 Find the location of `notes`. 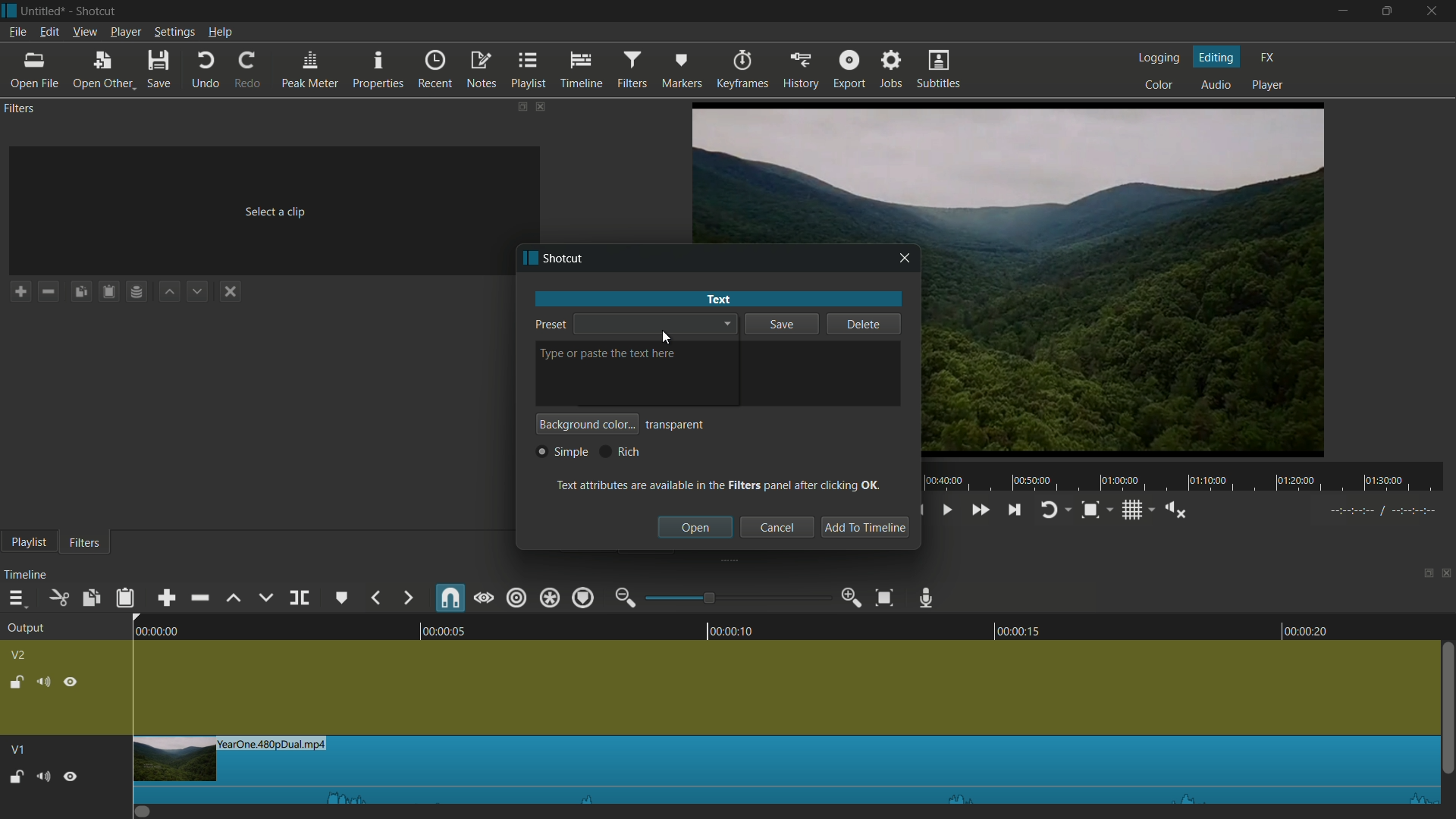

notes is located at coordinates (483, 69).